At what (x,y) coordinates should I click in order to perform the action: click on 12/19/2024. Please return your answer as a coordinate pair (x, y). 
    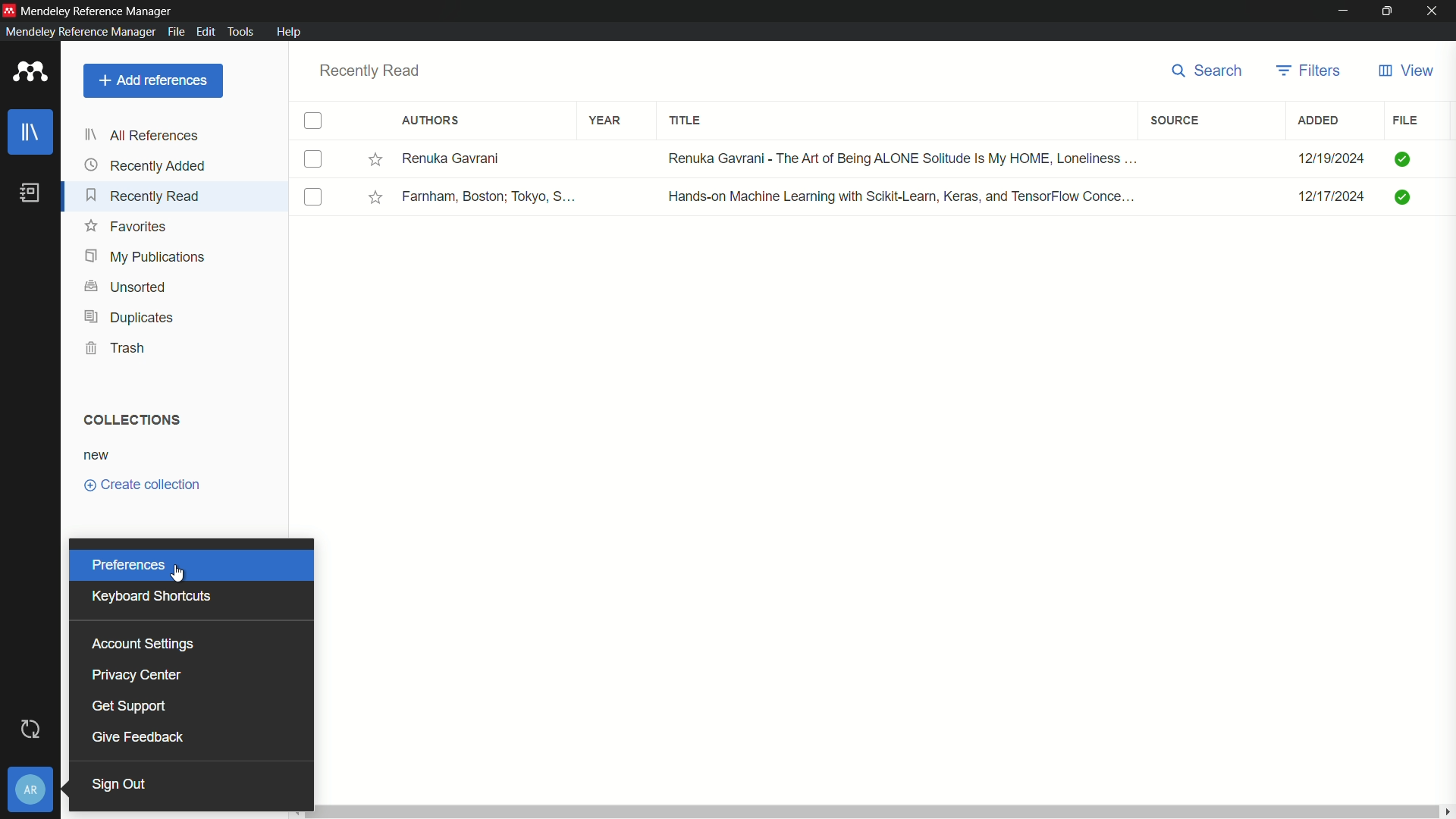
    Looking at the image, I should click on (1332, 158).